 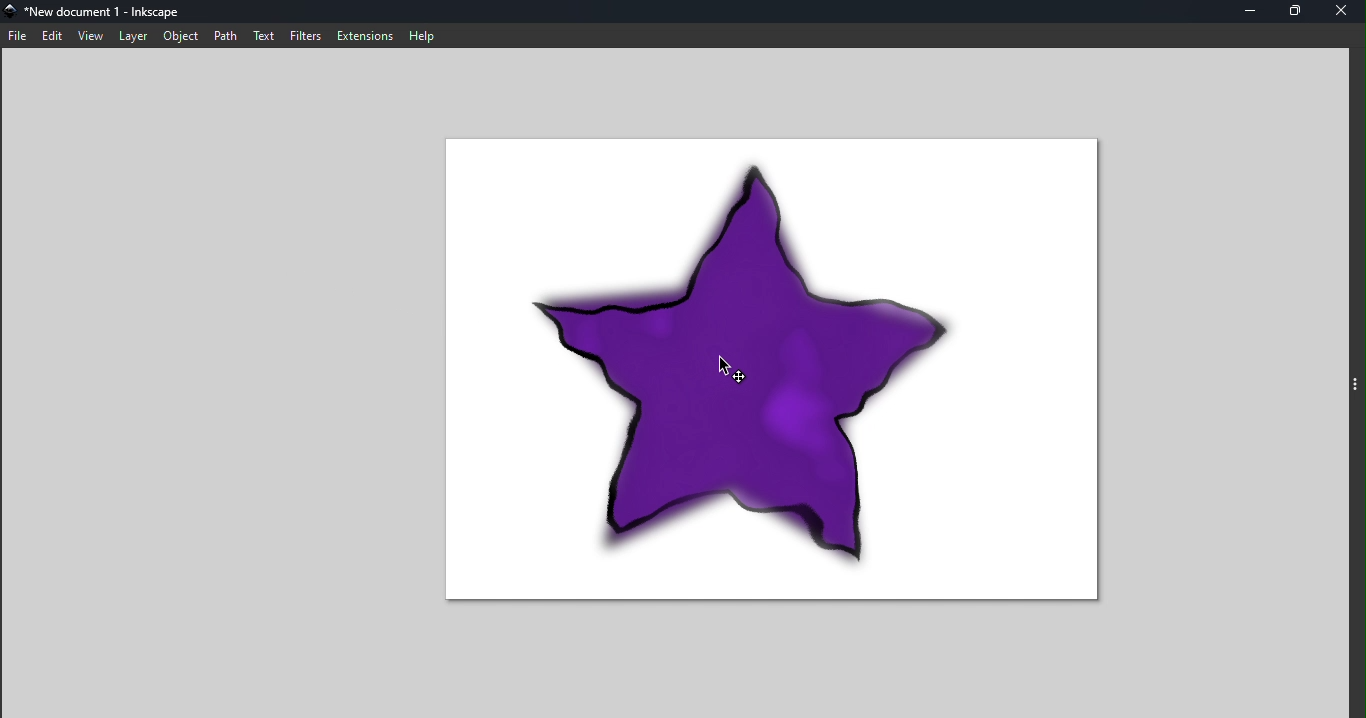 What do you see at coordinates (53, 36) in the screenshot?
I see `Edit` at bounding box center [53, 36].